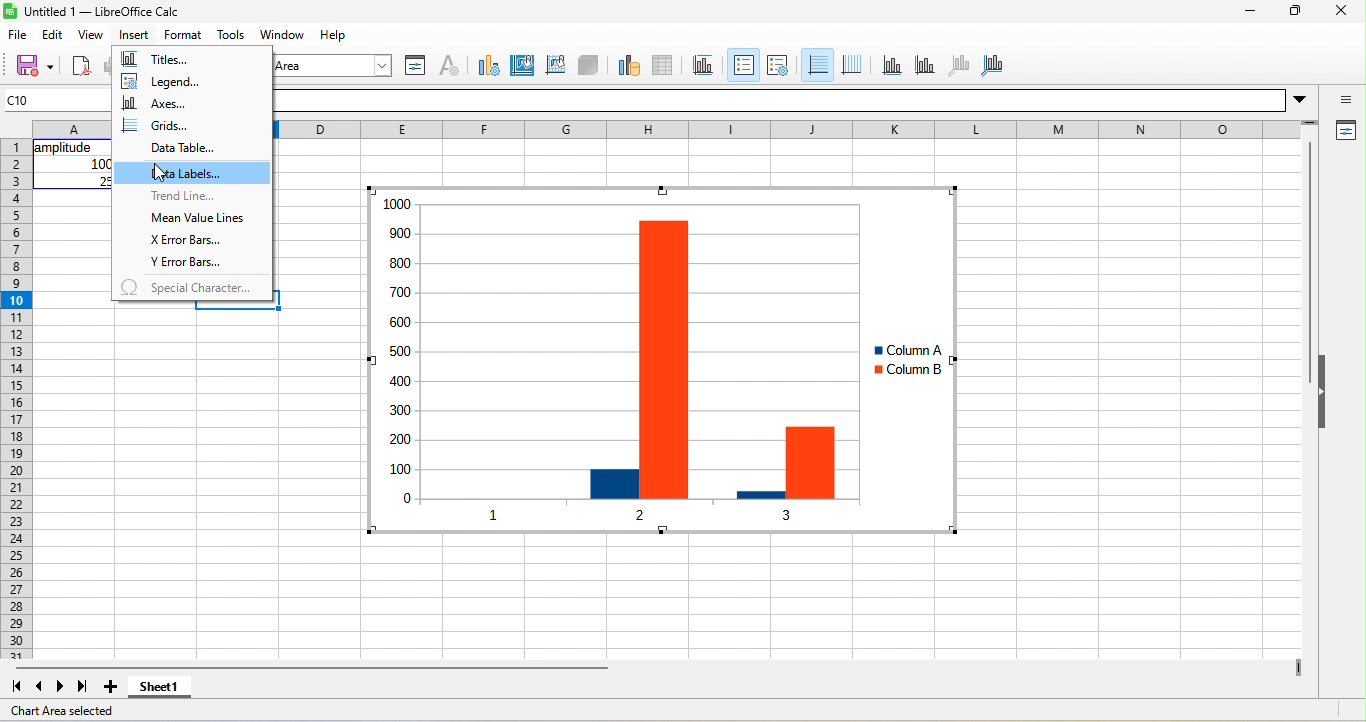 The image size is (1366, 722). What do you see at coordinates (35, 687) in the screenshot?
I see `previous sheet` at bounding box center [35, 687].